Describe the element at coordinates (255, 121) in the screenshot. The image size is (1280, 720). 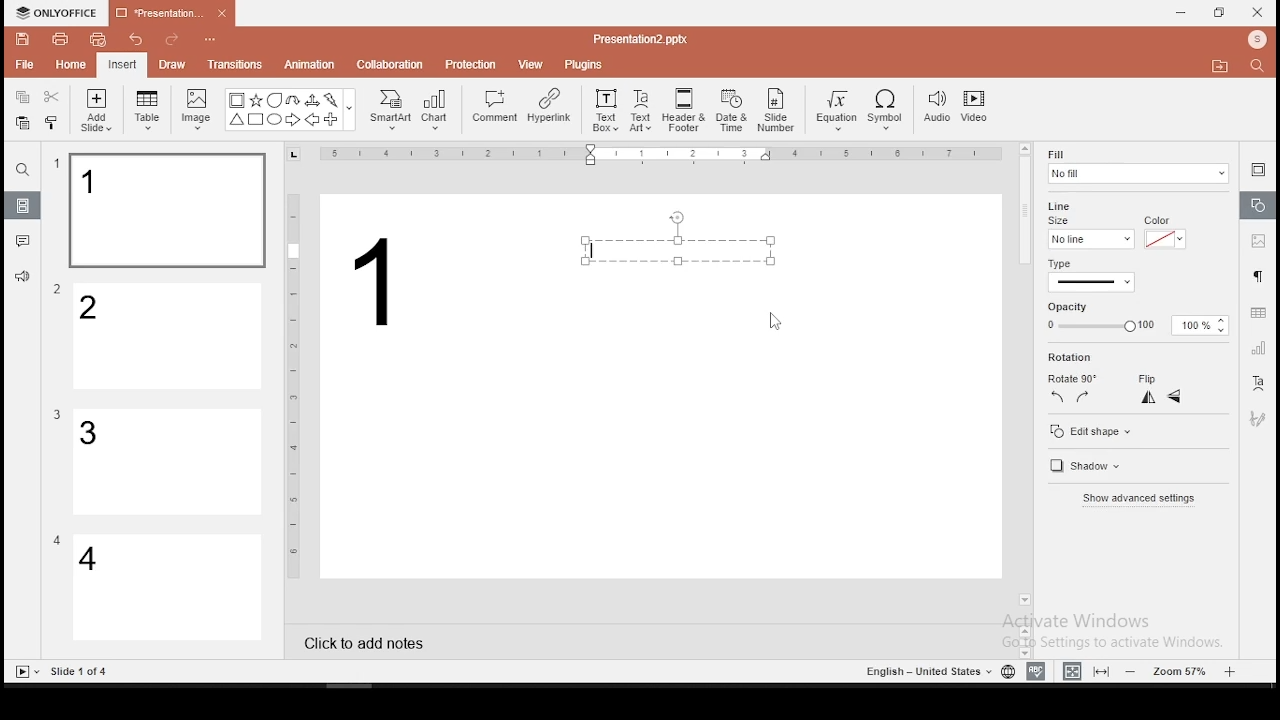
I see `Square` at that location.